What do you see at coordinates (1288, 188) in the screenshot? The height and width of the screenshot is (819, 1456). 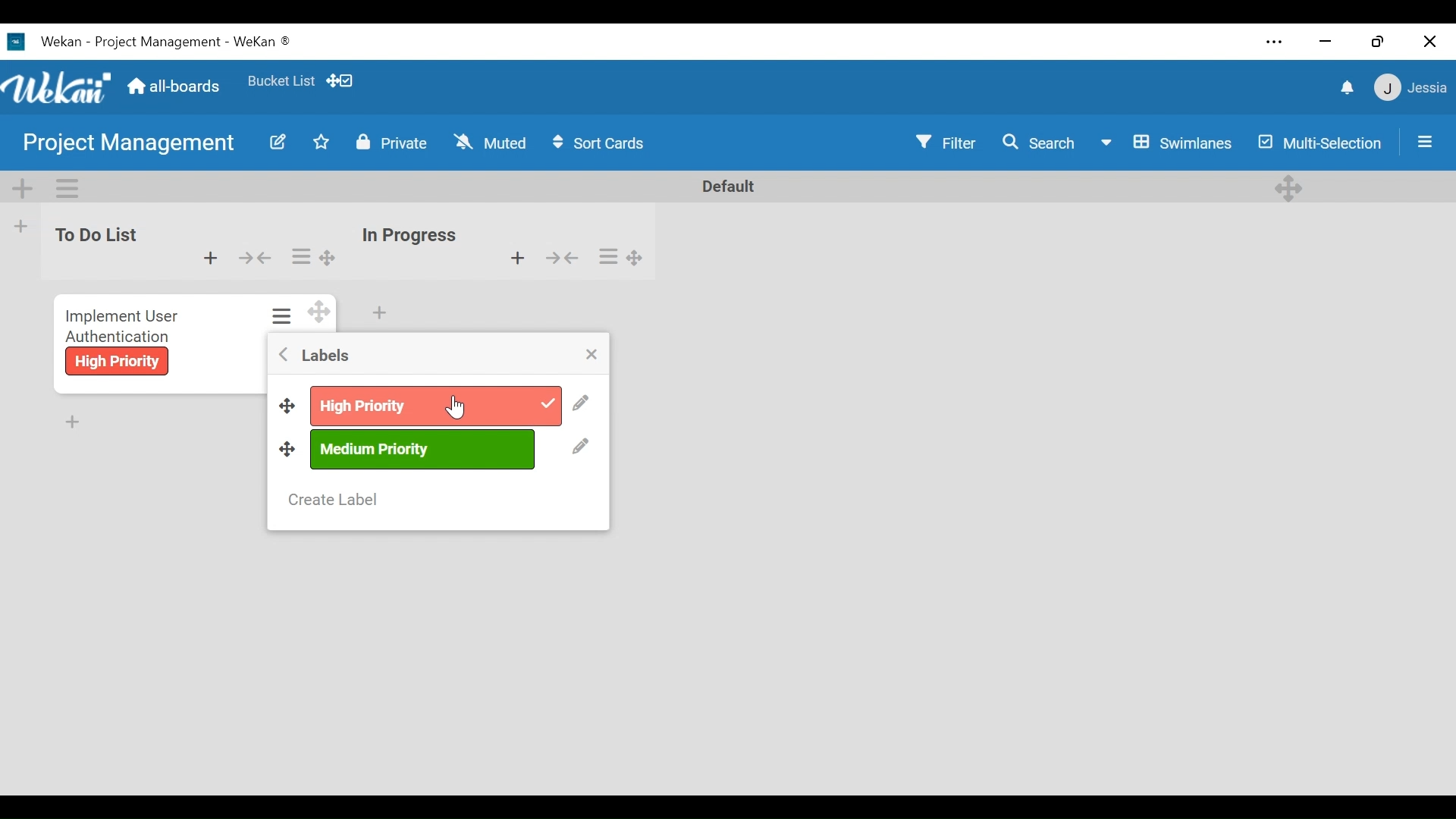 I see `desktop drag handles` at bounding box center [1288, 188].